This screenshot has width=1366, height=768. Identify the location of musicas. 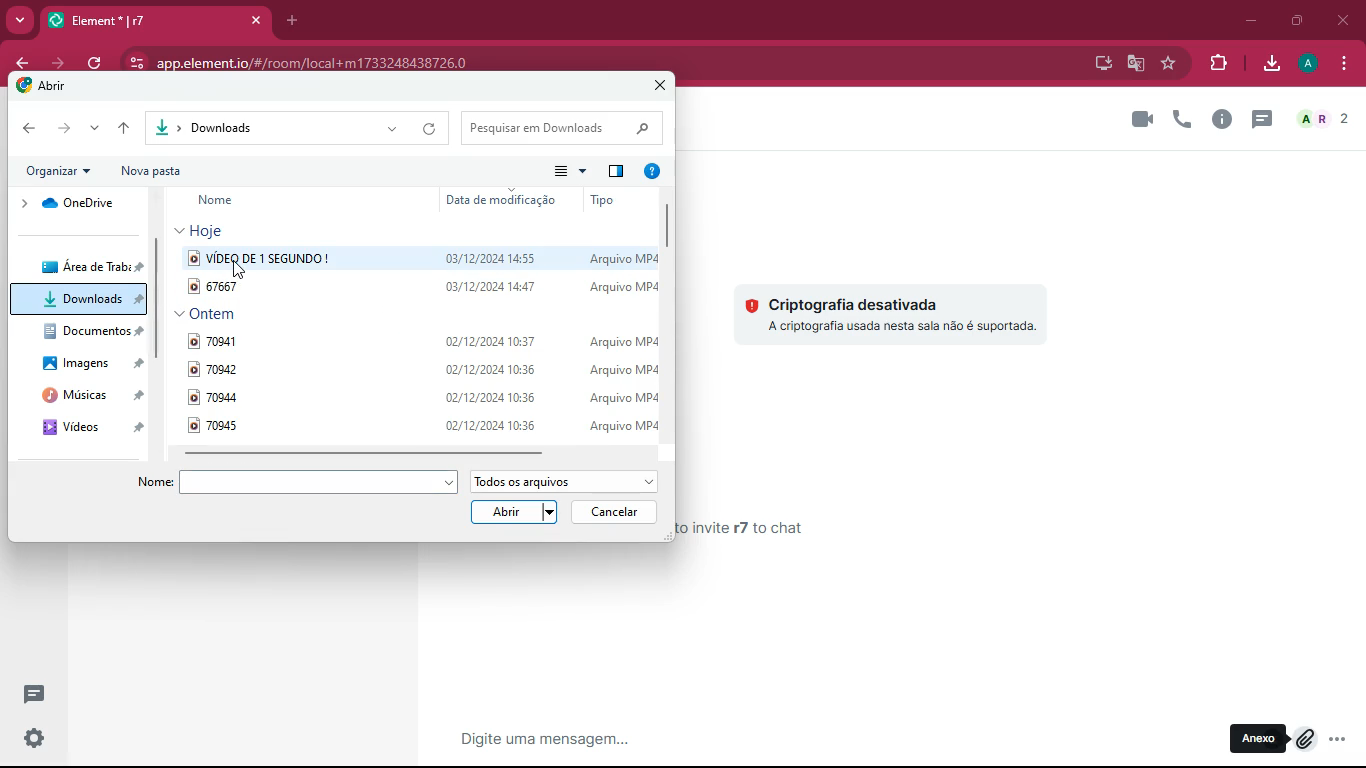
(92, 396).